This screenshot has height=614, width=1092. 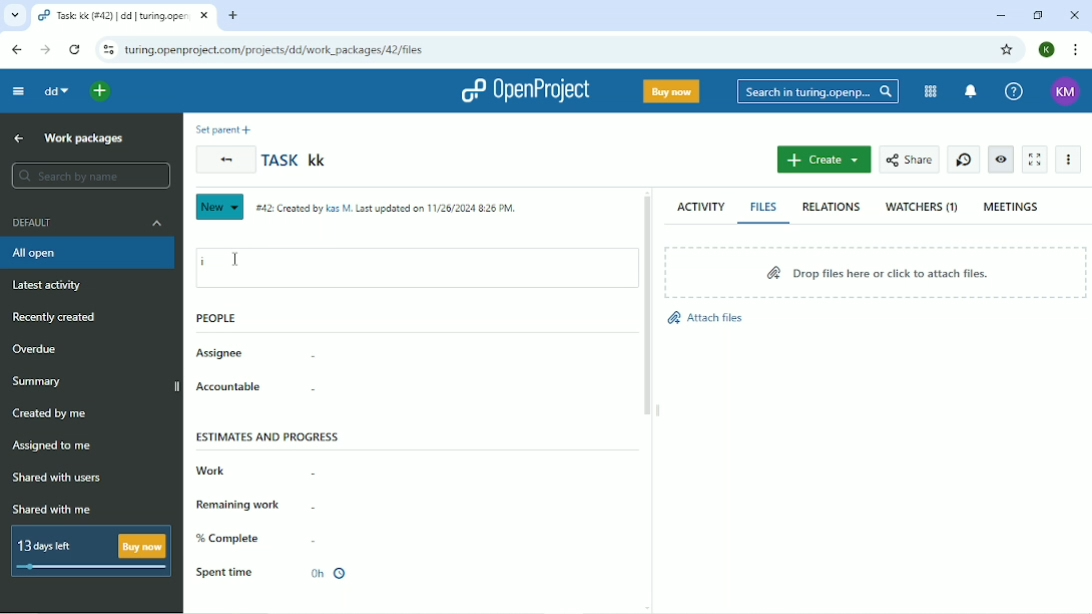 I want to click on Activate zen mode, so click(x=1036, y=160).